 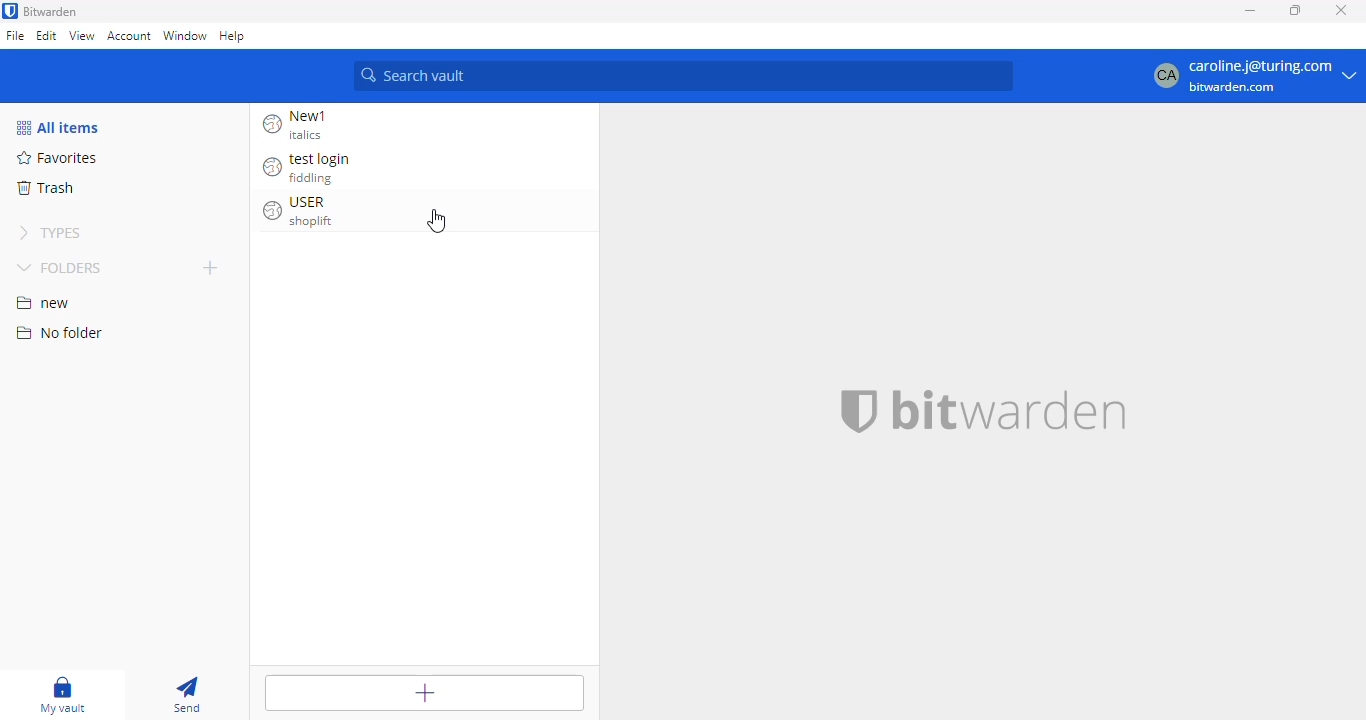 What do you see at coordinates (685, 77) in the screenshot?
I see `search vault` at bounding box center [685, 77].